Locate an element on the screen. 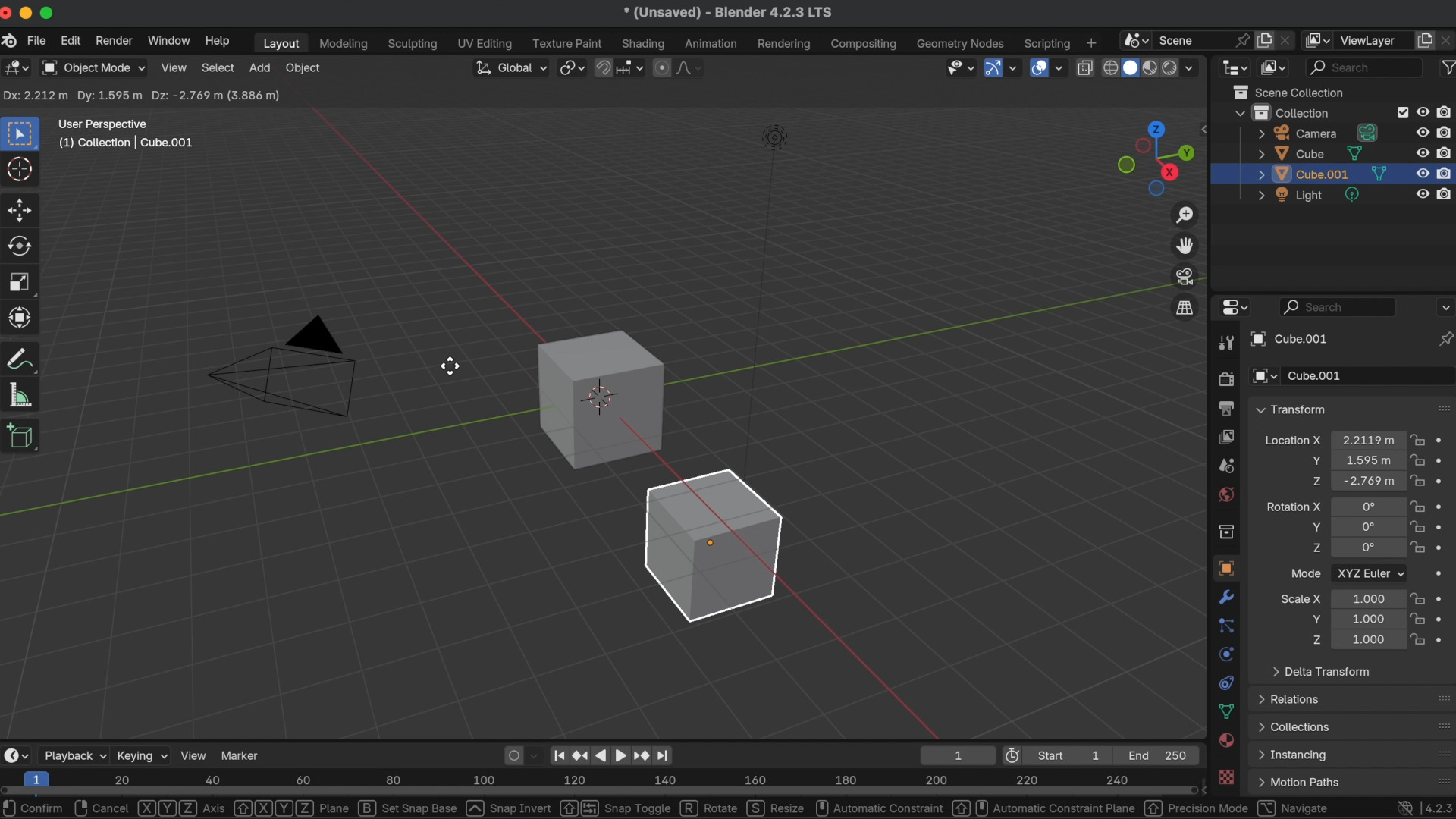 This screenshot has height=819, width=1456. contraints is located at coordinates (1225, 681).